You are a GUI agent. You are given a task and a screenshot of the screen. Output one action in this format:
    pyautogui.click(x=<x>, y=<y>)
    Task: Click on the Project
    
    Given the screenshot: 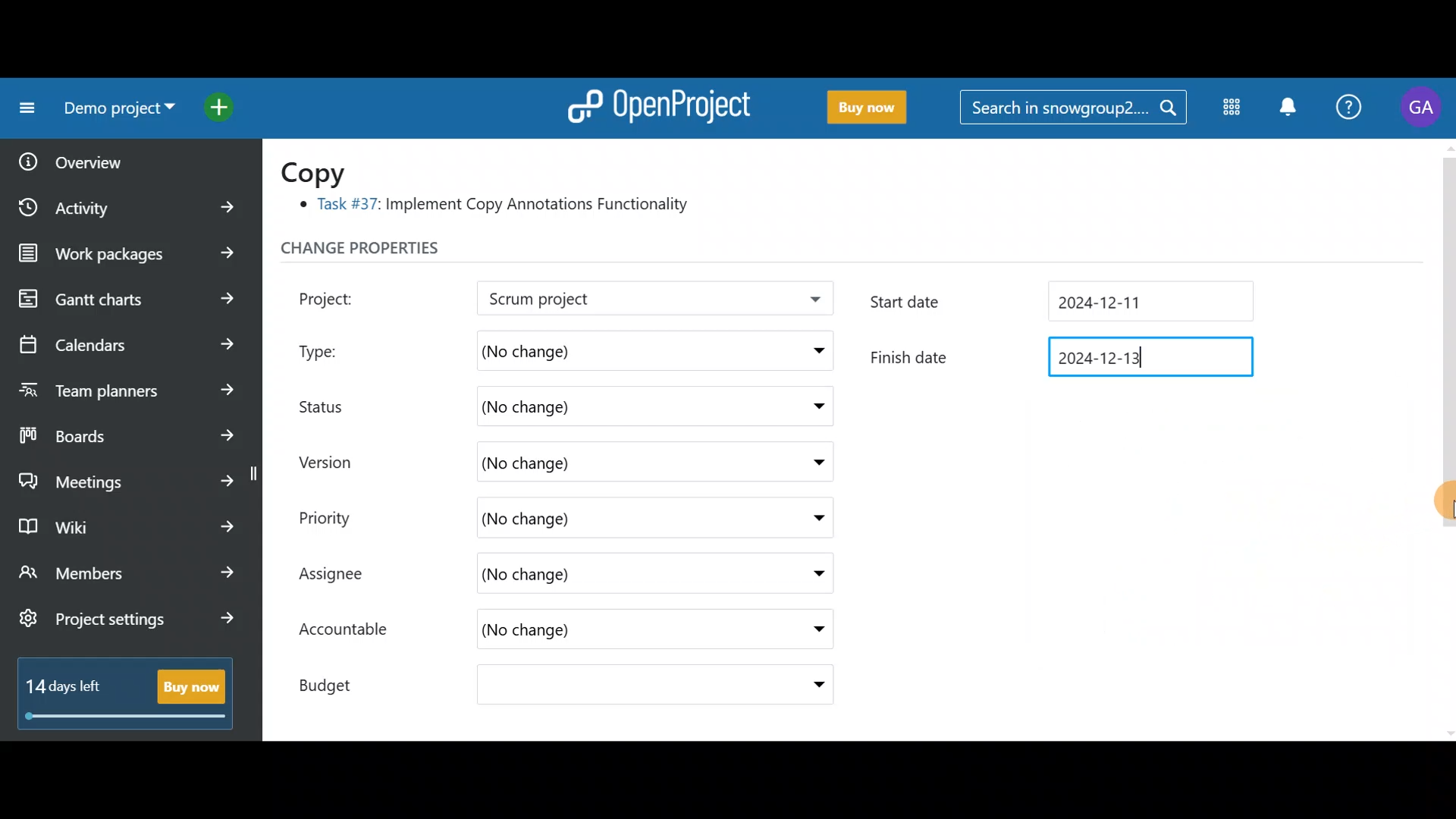 What is the action you would take?
    pyautogui.click(x=345, y=297)
    